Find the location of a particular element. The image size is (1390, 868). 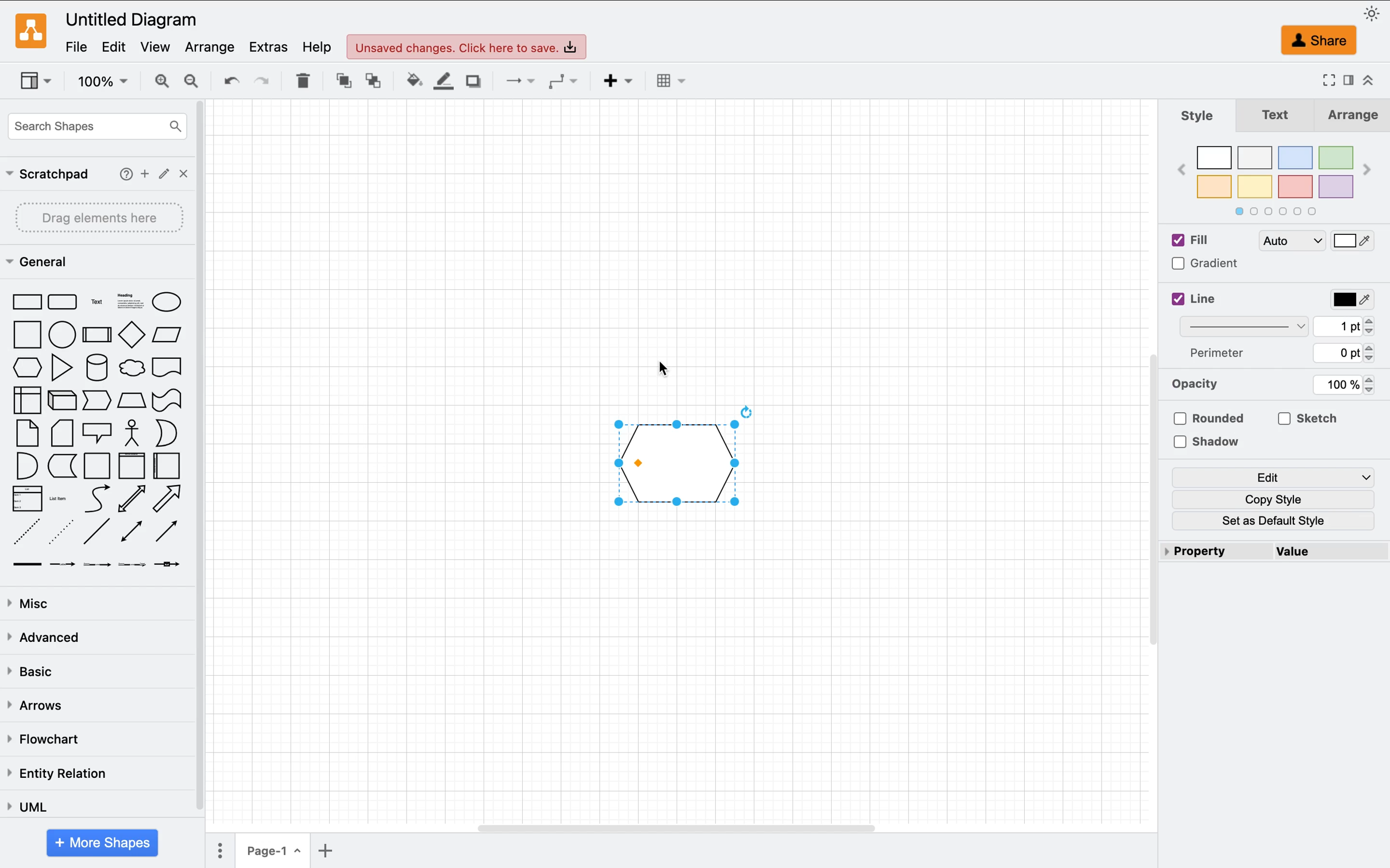

or is located at coordinates (169, 434).